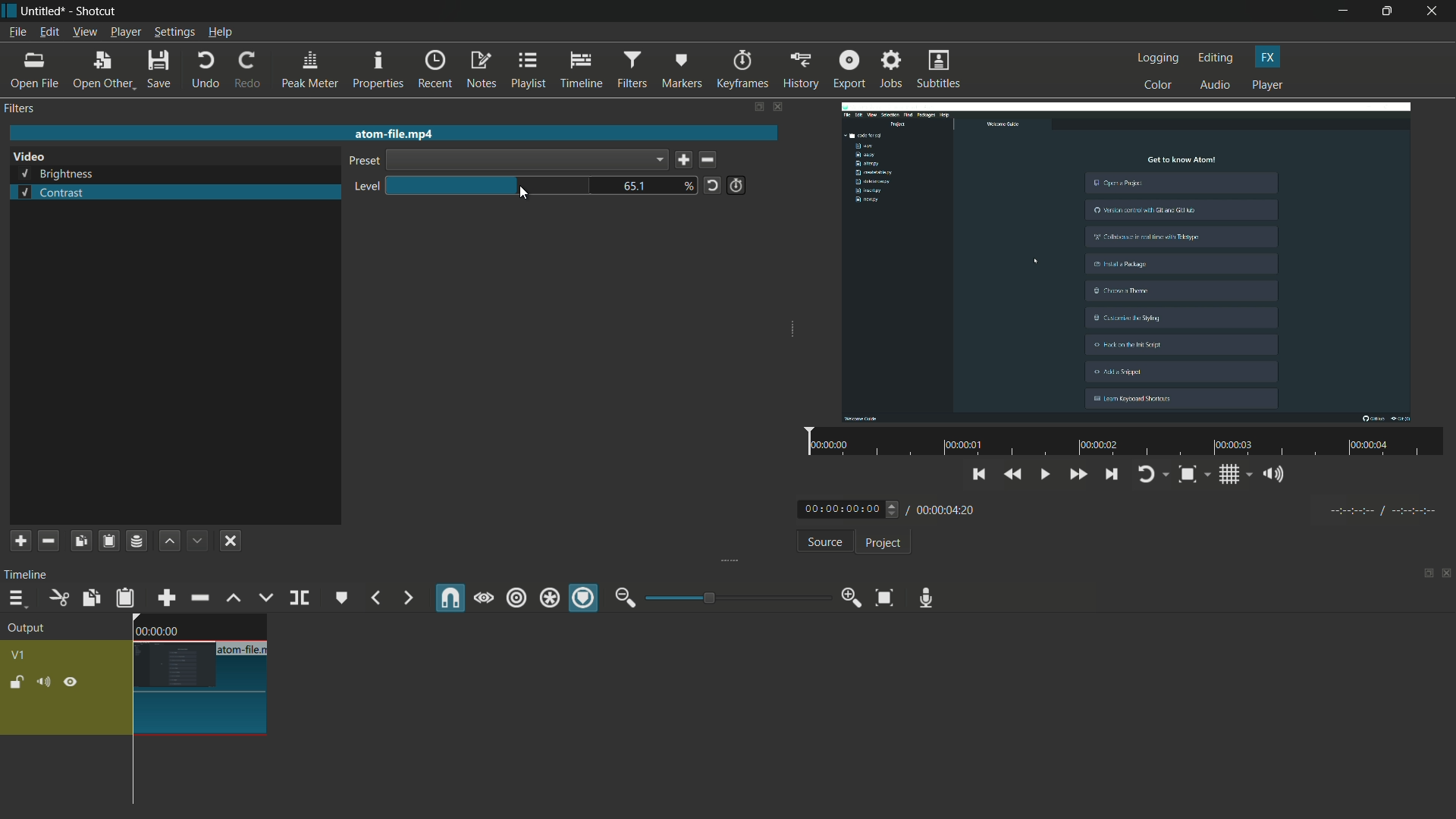 The width and height of the screenshot is (1456, 819). What do you see at coordinates (881, 543) in the screenshot?
I see `project` at bounding box center [881, 543].